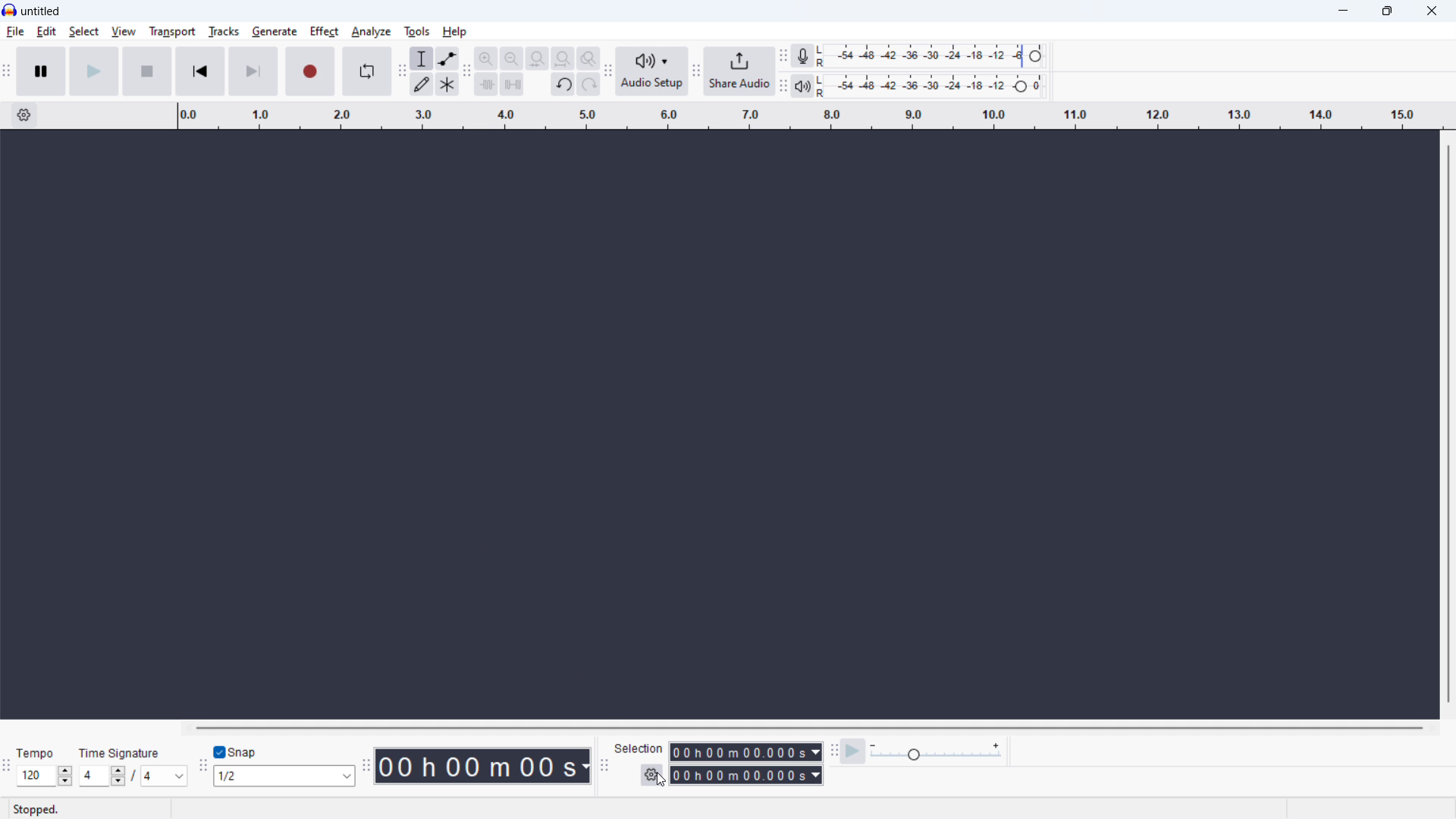 This screenshot has height=819, width=1456. What do you see at coordinates (201, 71) in the screenshot?
I see `skip to start` at bounding box center [201, 71].